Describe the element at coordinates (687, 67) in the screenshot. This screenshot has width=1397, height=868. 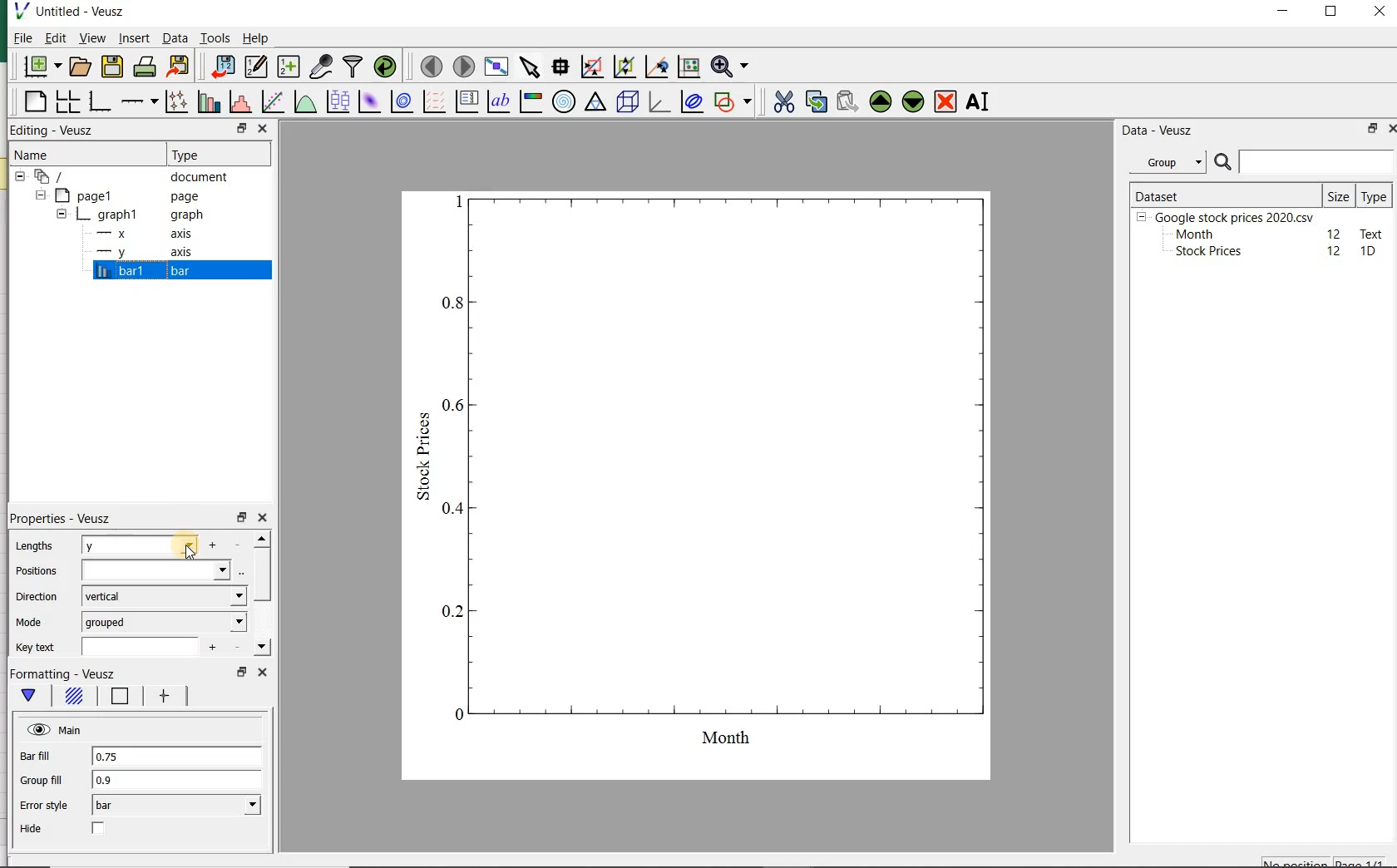
I see `click to reset graph axes` at that location.